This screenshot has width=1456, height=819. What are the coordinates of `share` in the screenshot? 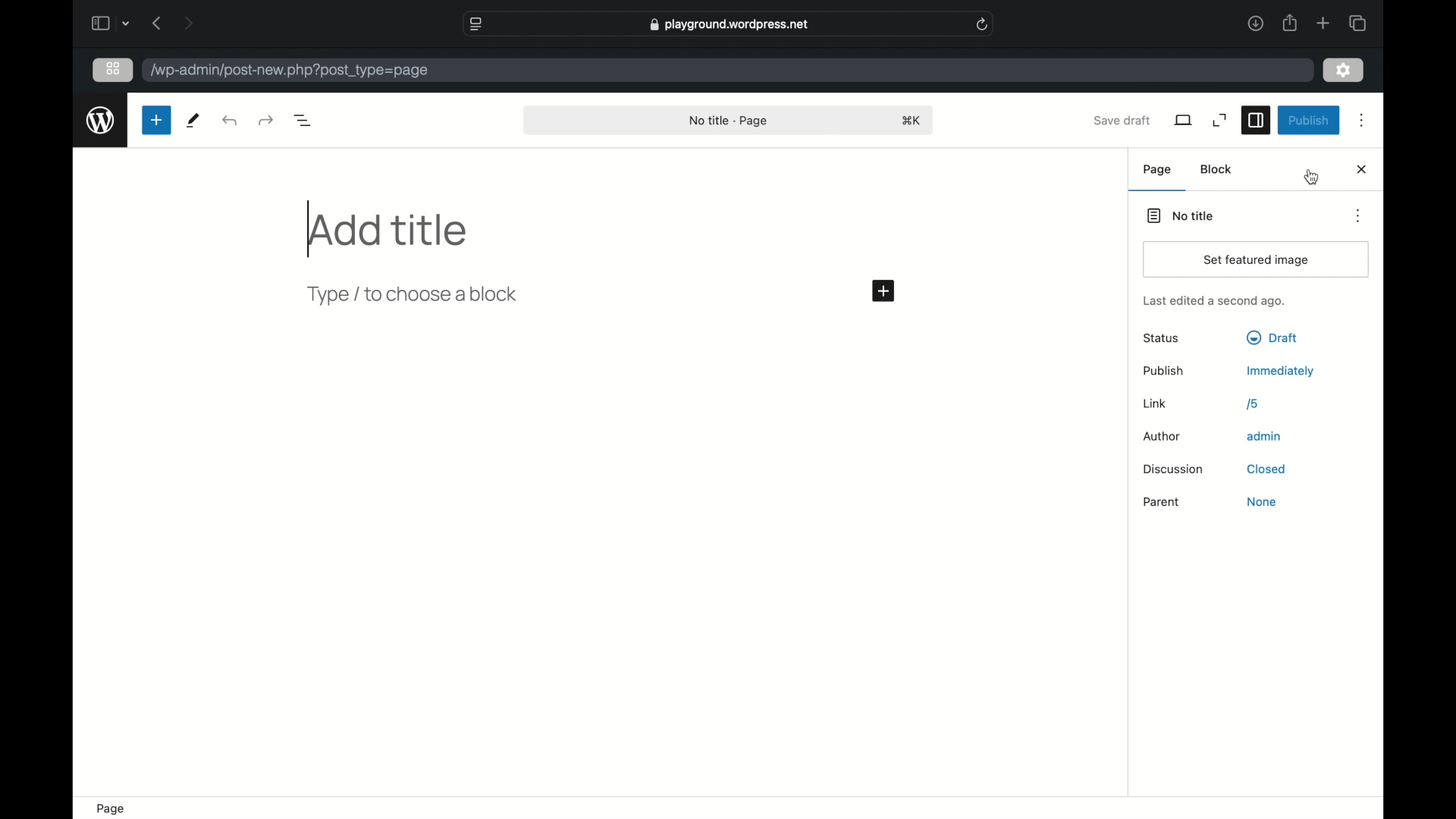 It's located at (1290, 24).